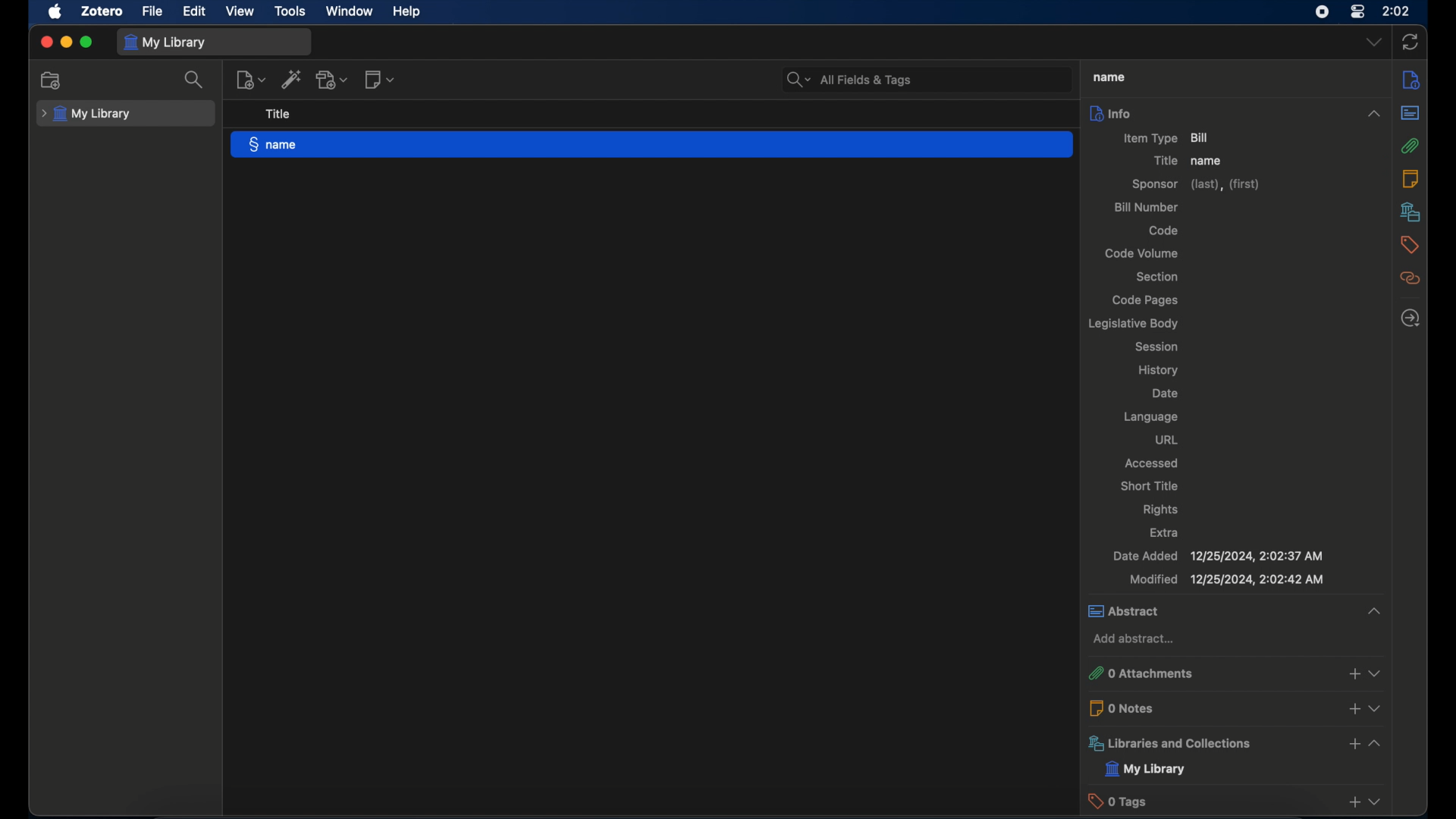  What do you see at coordinates (281, 115) in the screenshot?
I see `title` at bounding box center [281, 115].